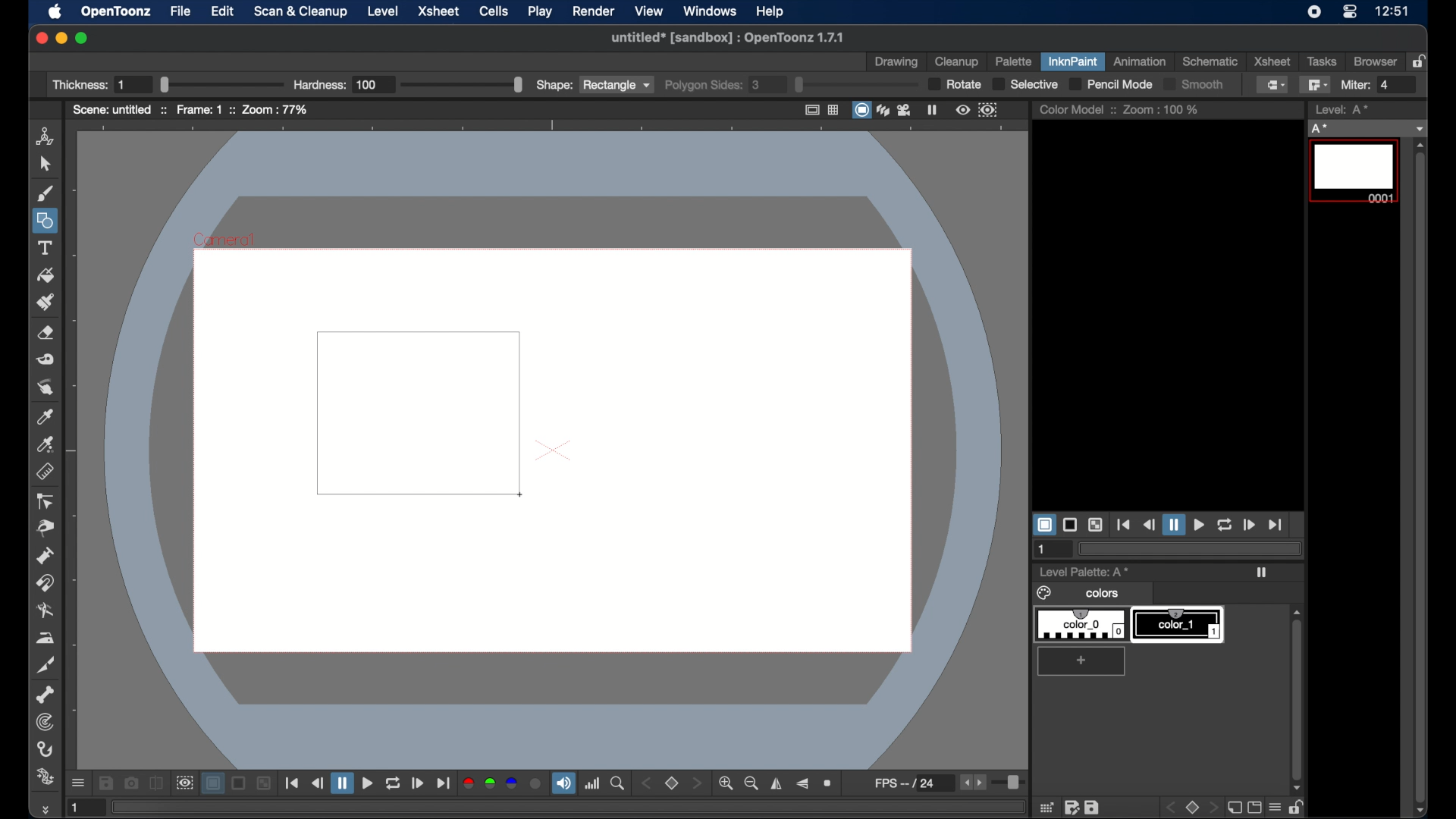 The width and height of the screenshot is (1456, 819). What do you see at coordinates (492, 11) in the screenshot?
I see `cells` at bounding box center [492, 11].